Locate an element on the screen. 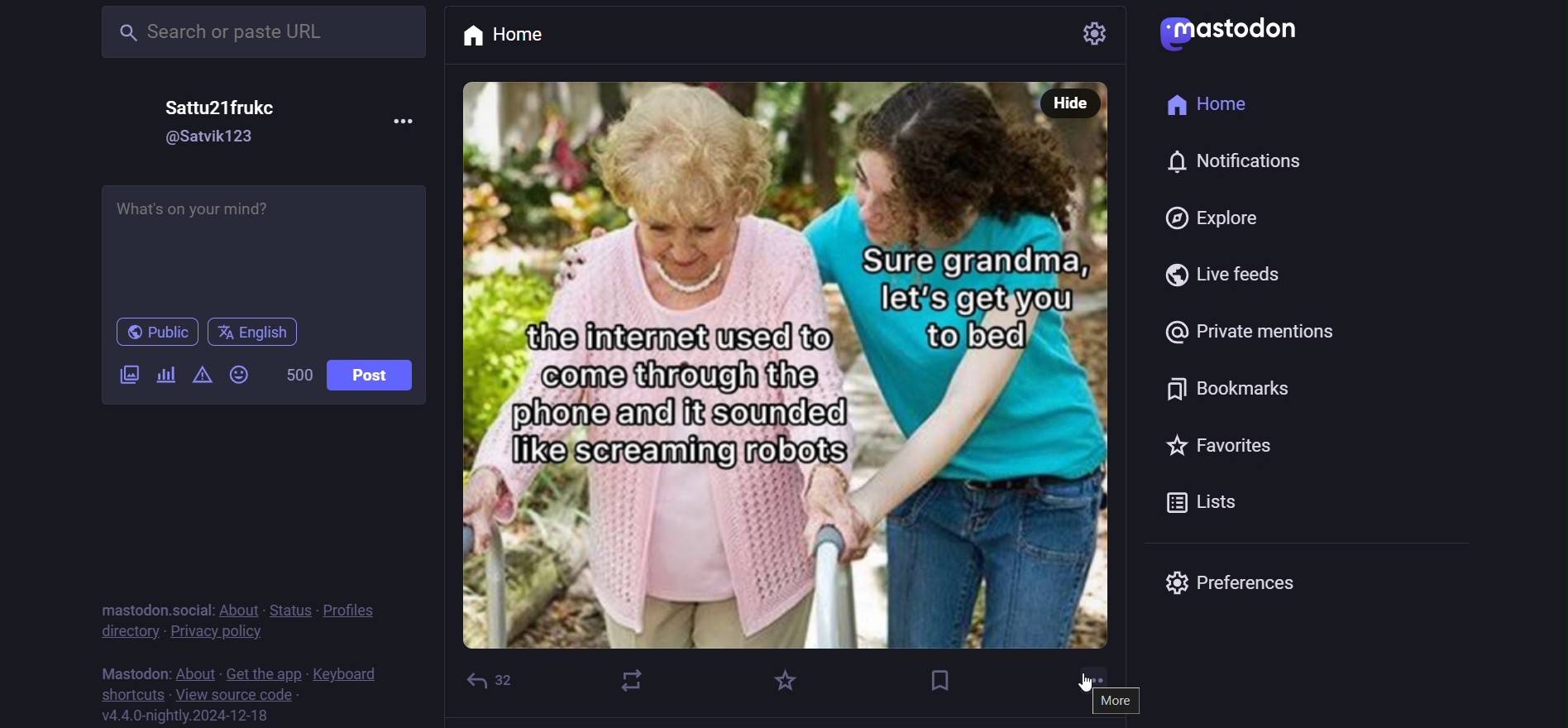 This screenshot has width=1568, height=728. search is located at coordinates (264, 33).